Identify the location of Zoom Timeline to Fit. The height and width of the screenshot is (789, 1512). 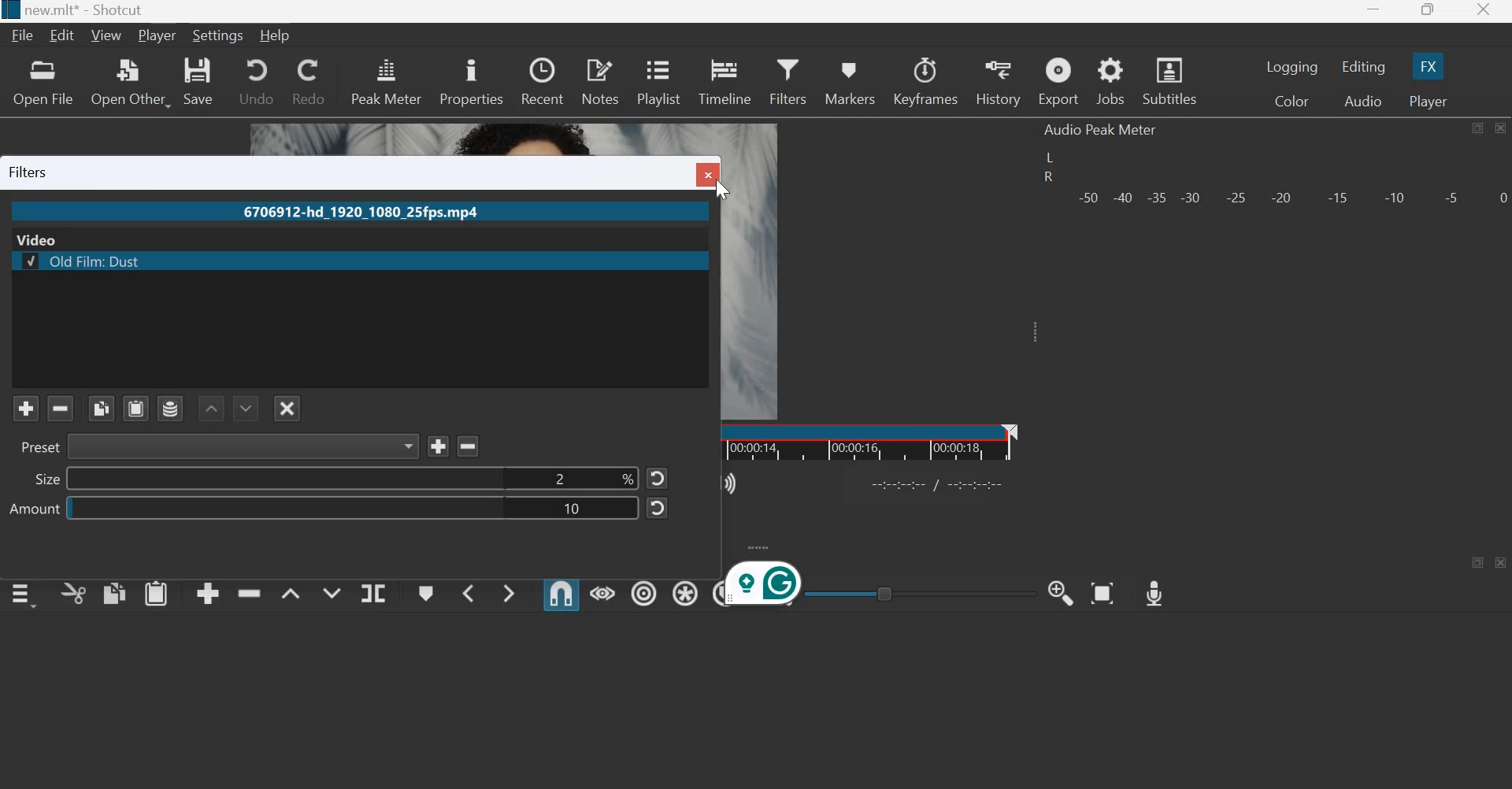
(1103, 589).